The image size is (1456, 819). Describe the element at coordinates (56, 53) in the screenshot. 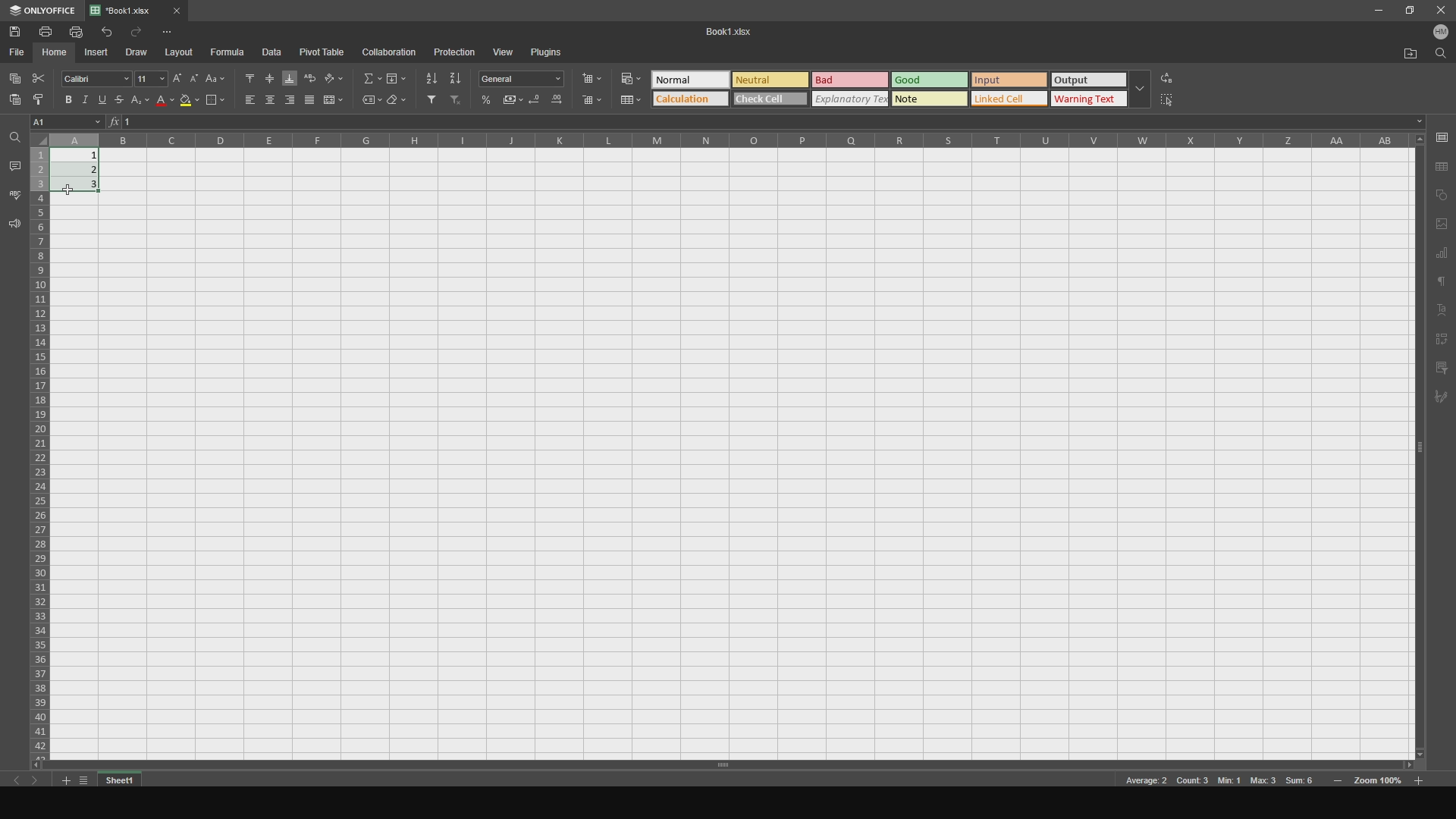

I see `home` at that location.